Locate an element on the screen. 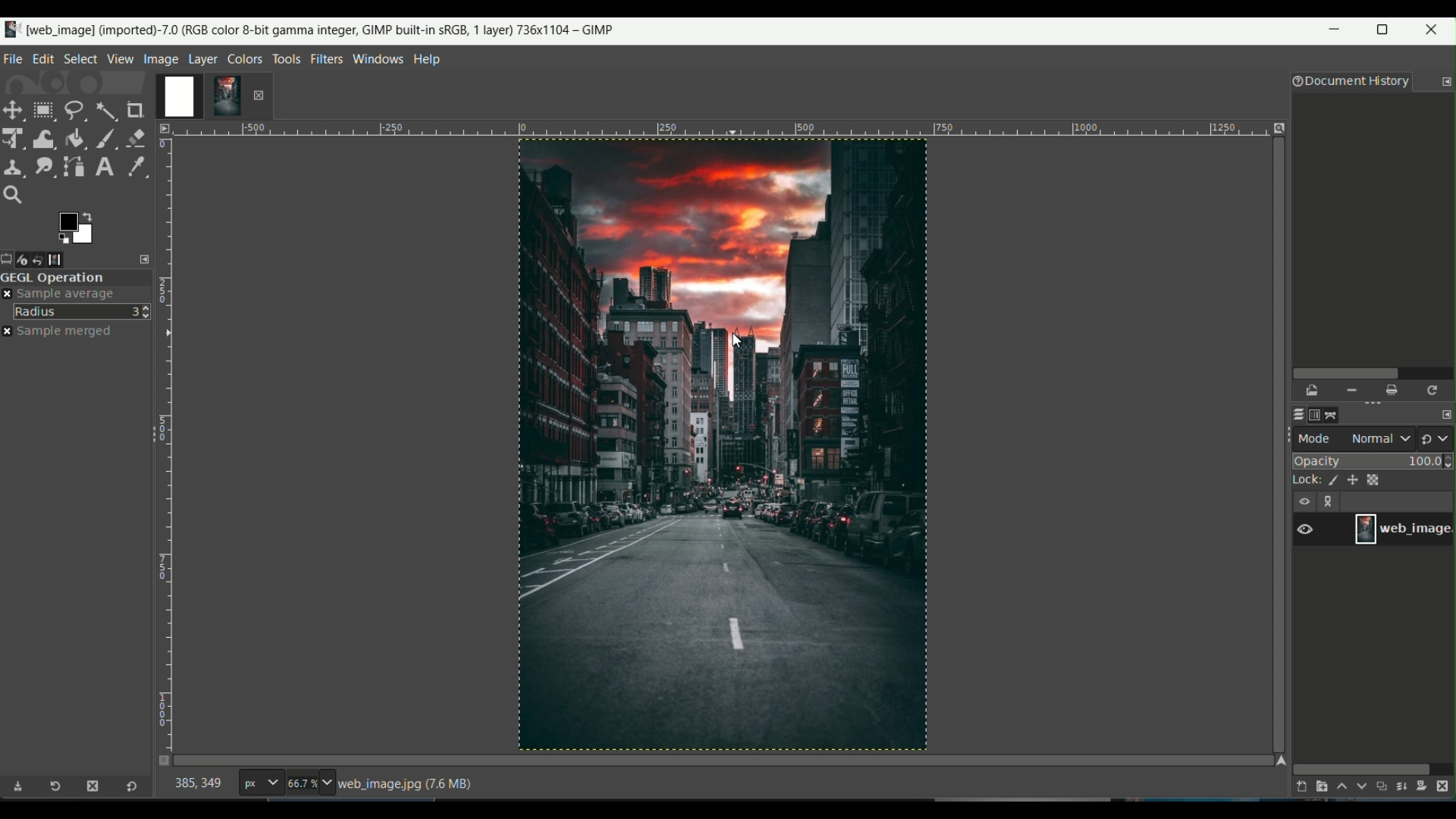  colors tab is located at coordinates (246, 58).